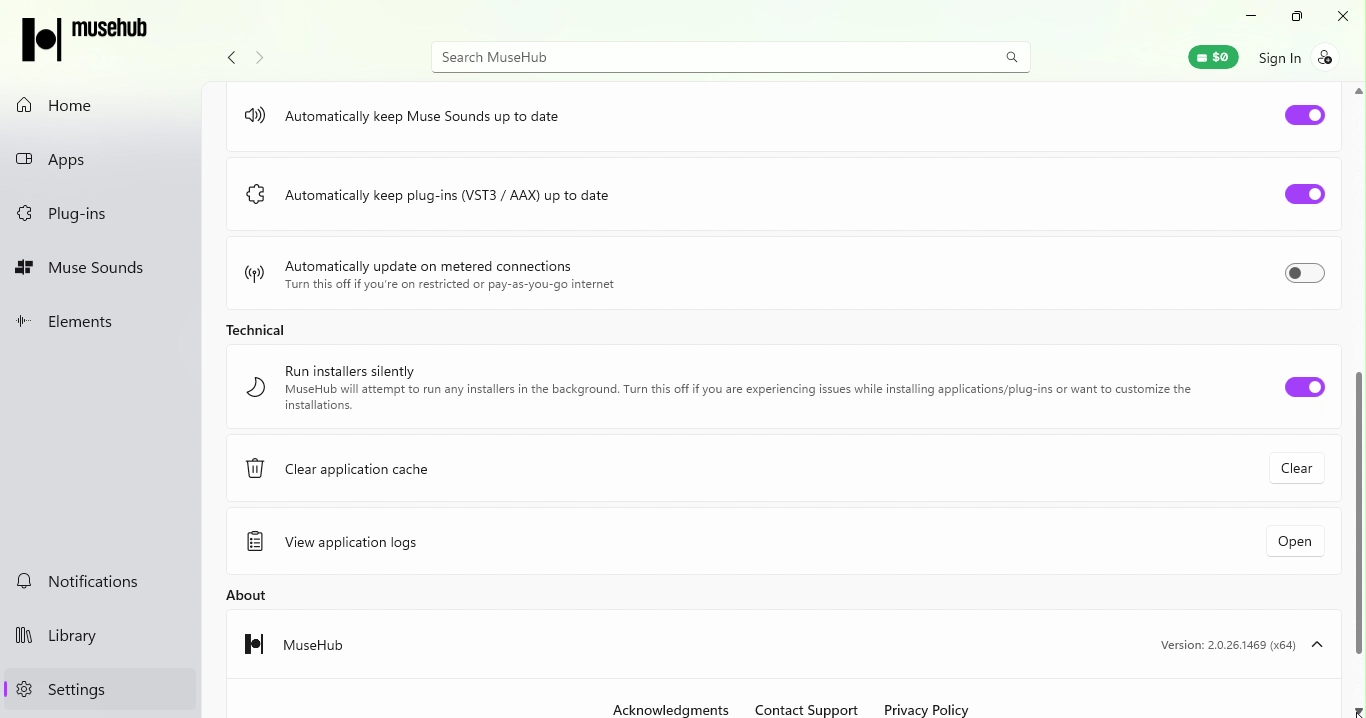  Describe the element at coordinates (1347, 15) in the screenshot. I see `Close` at that location.